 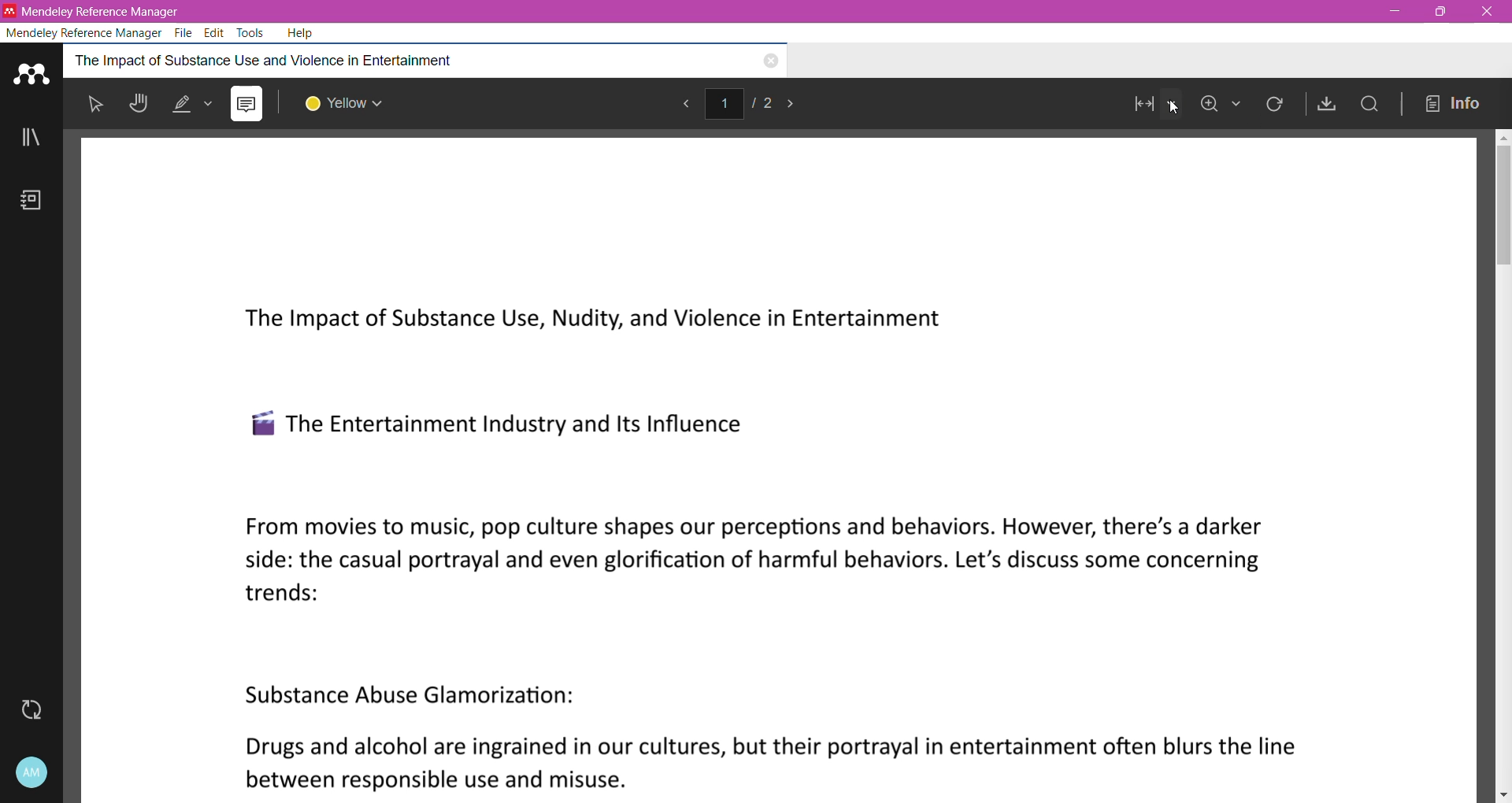 I want to click on Go to previous page, so click(x=691, y=104).